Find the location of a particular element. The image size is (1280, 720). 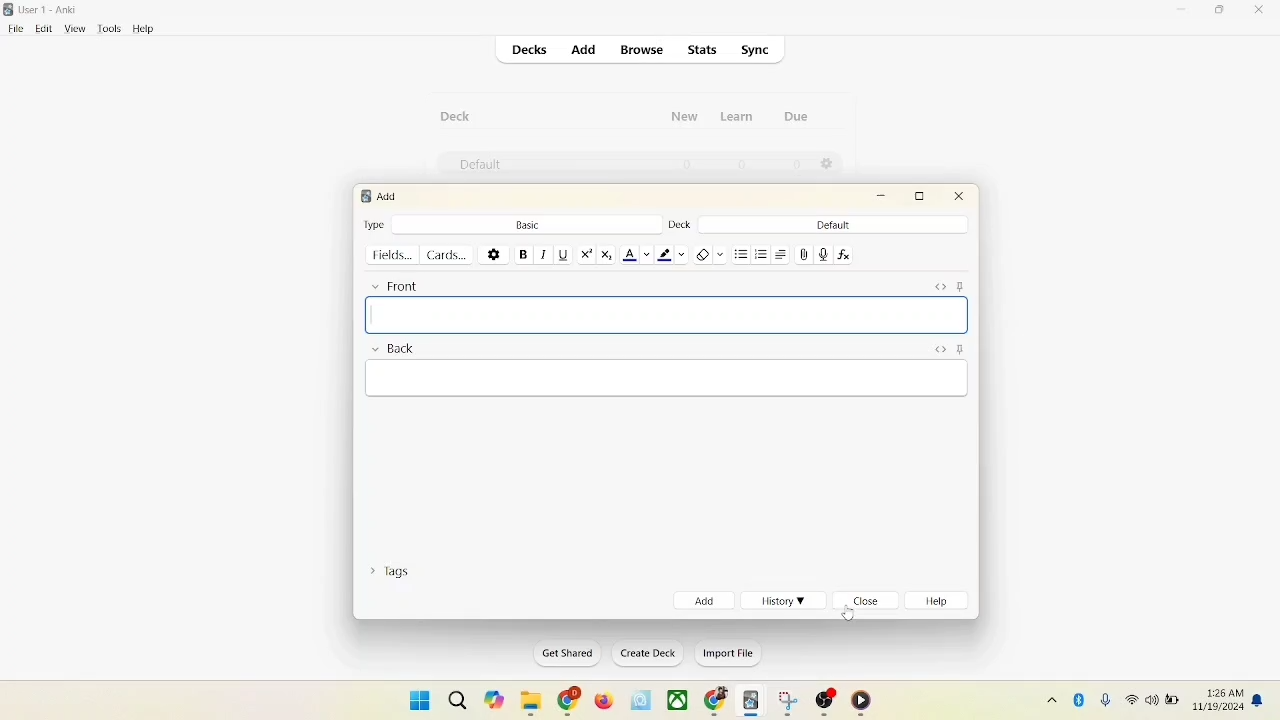

applications is located at coordinates (678, 701).